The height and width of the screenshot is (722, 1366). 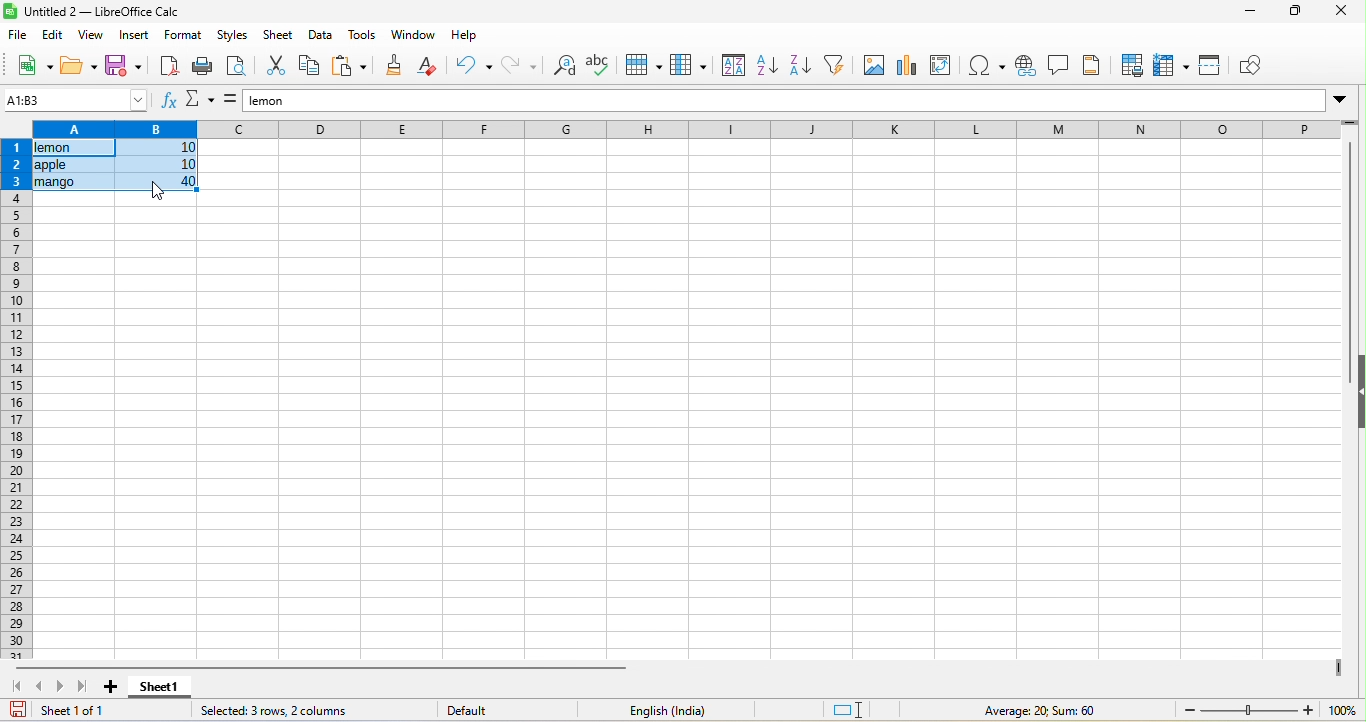 I want to click on pivot table, so click(x=941, y=67).